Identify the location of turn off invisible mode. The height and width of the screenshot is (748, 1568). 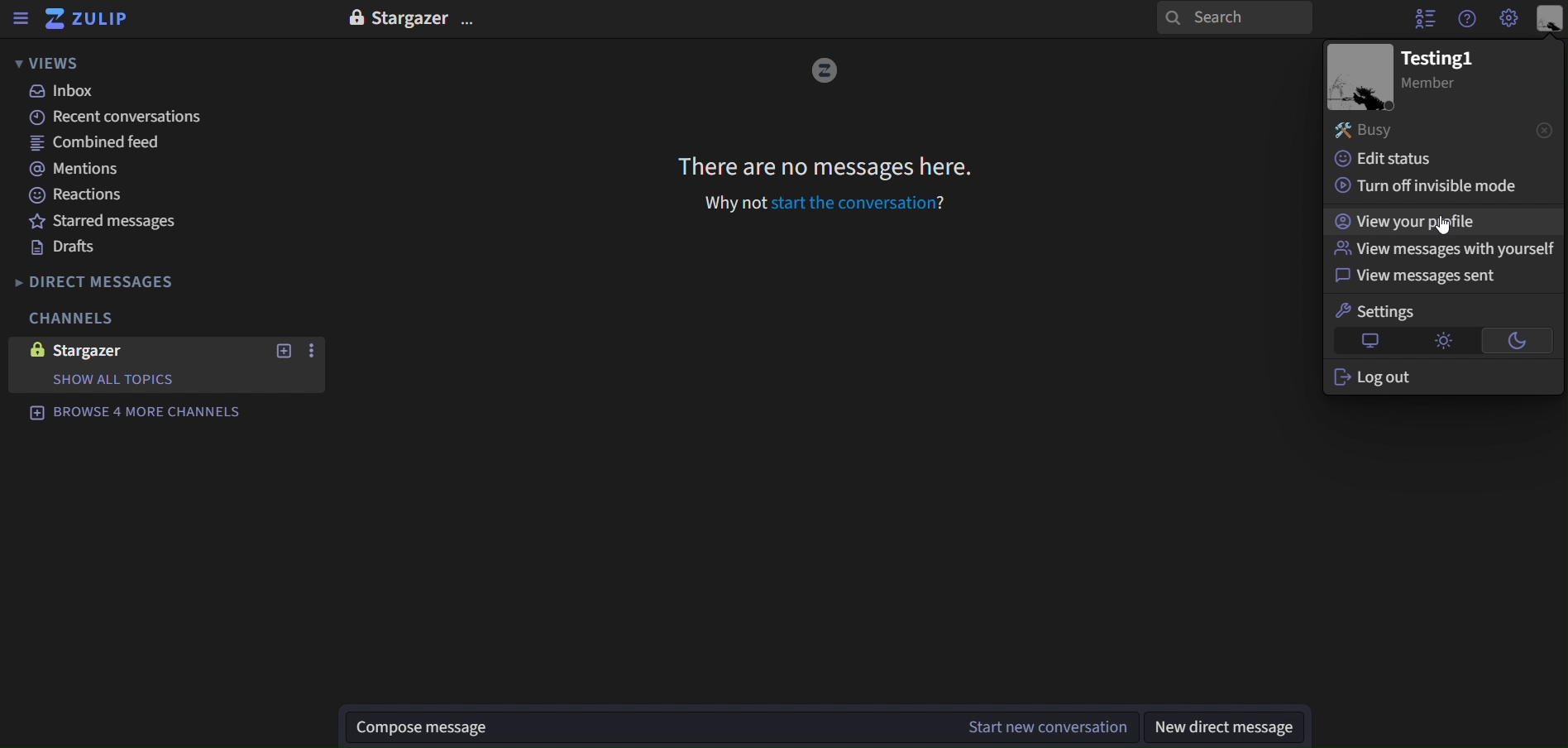
(1424, 187).